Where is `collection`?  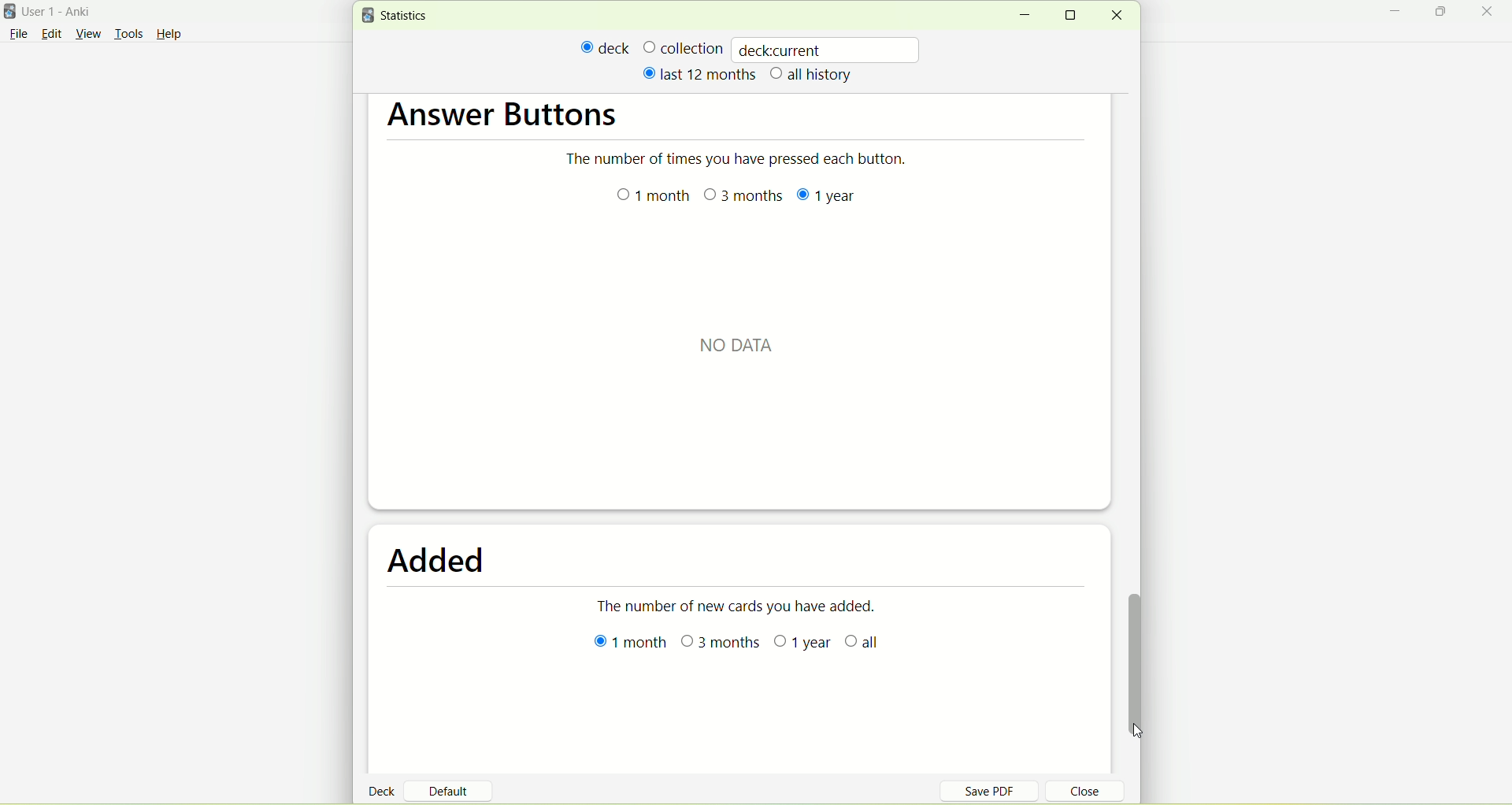 collection is located at coordinates (683, 47).